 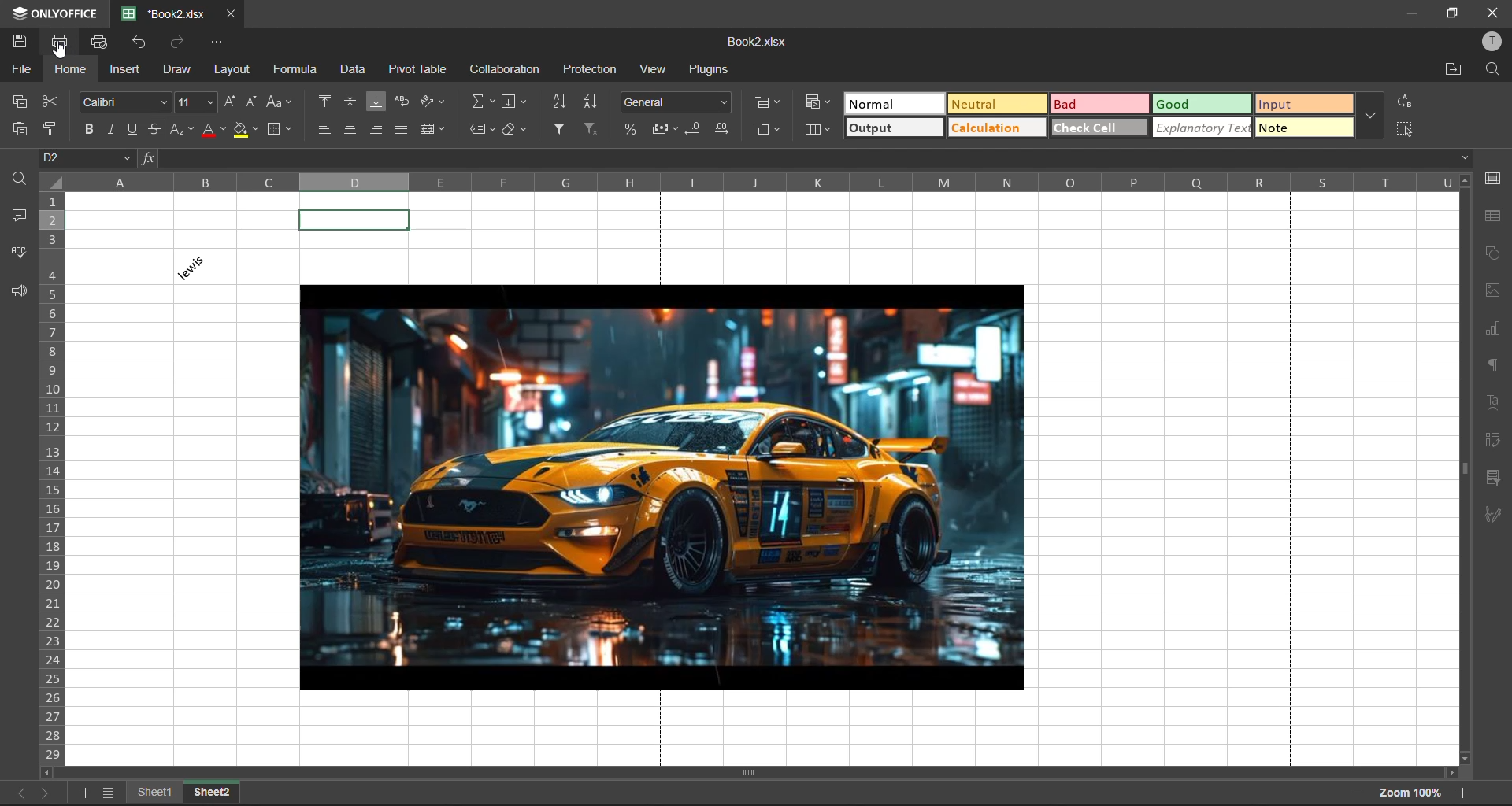 I want to click on plugins, so click(x=711, y=70).